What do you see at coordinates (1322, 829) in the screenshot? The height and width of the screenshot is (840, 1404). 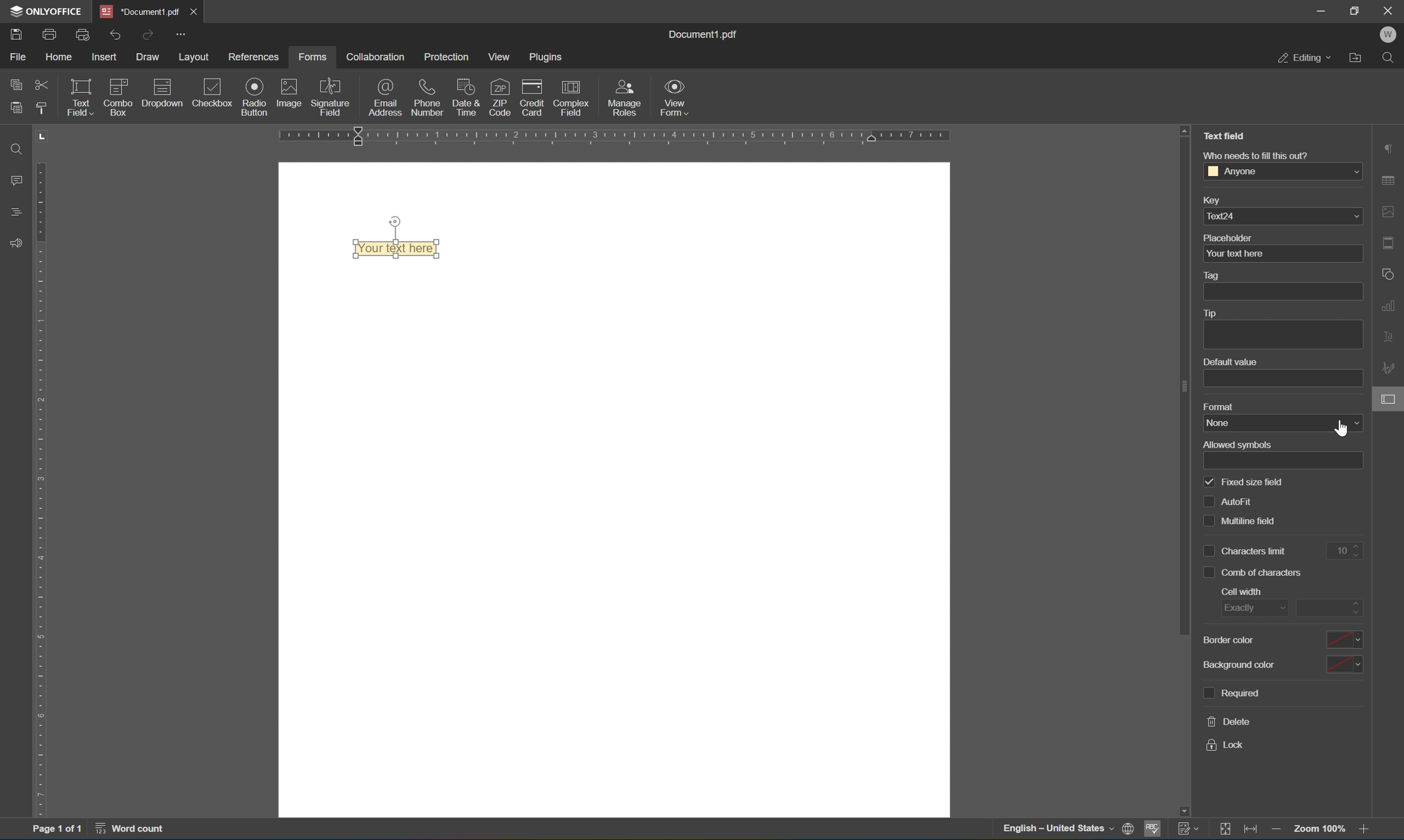 I see `zoom out` at bounding box center [1322, 829].